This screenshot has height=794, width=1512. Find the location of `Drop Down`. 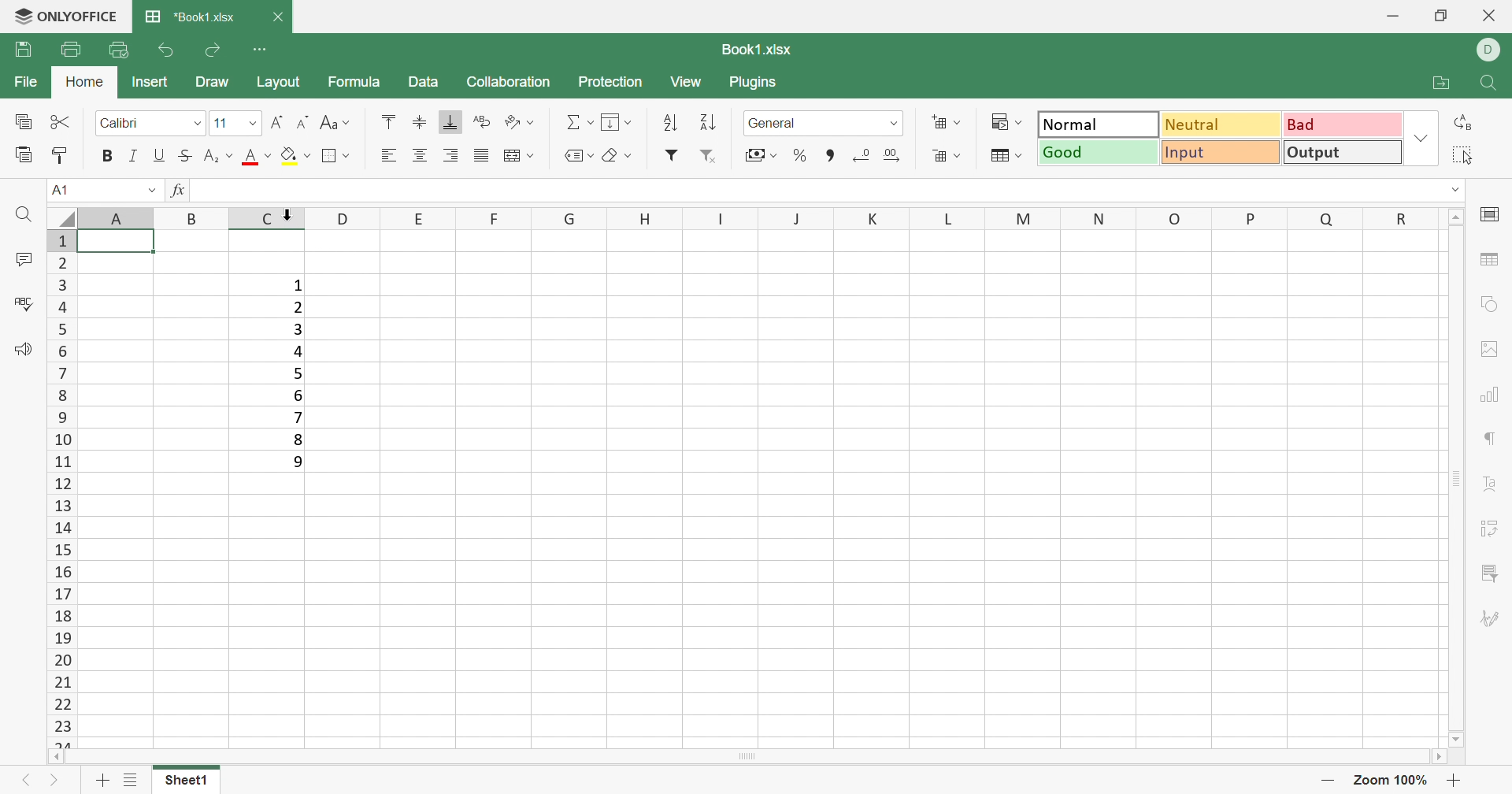

Drop Down is located at coordinates (195, 124).